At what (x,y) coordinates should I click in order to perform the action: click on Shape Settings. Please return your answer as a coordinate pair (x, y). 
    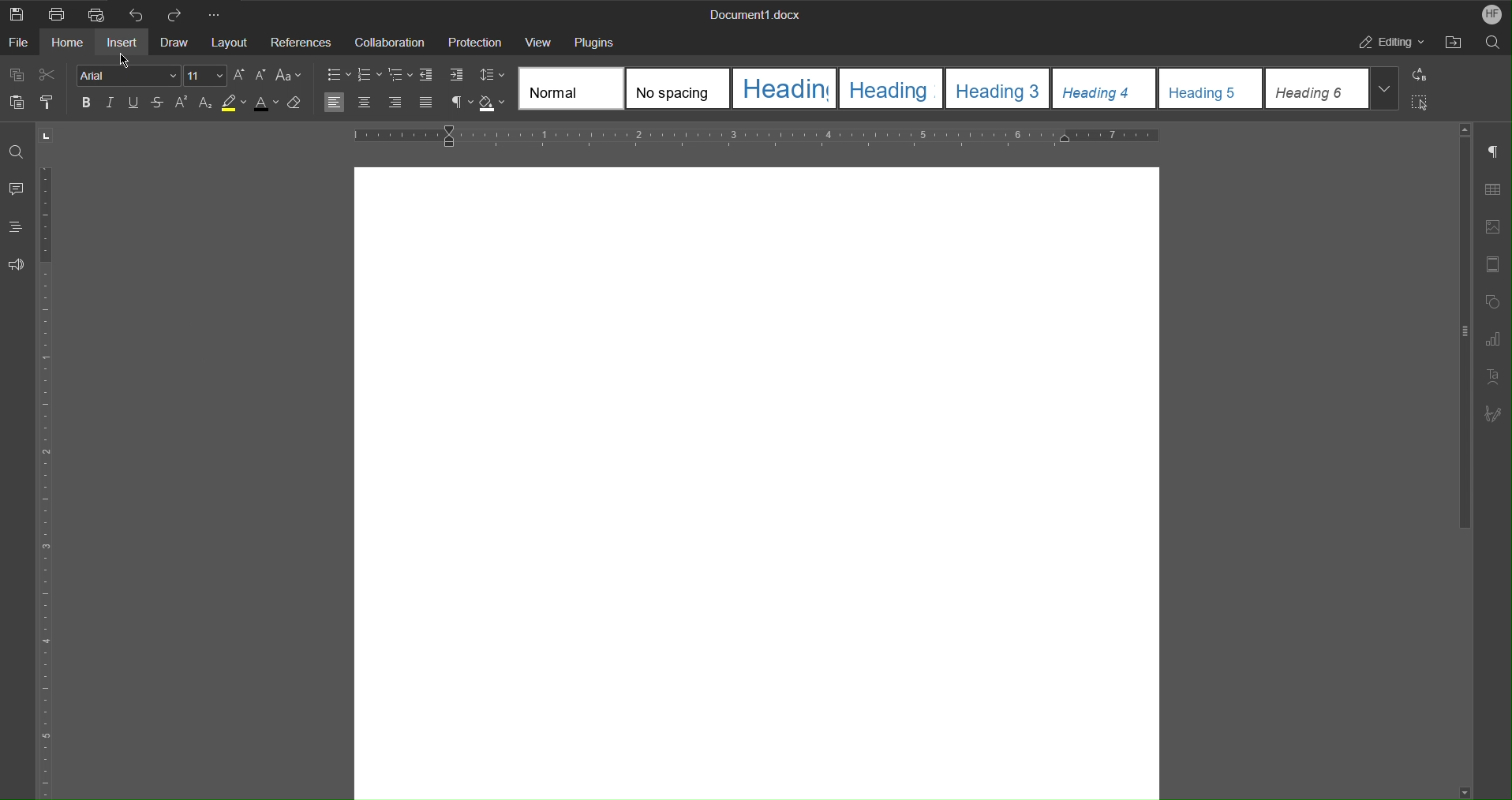
    Looking at the image, I should click on (1491, 301).